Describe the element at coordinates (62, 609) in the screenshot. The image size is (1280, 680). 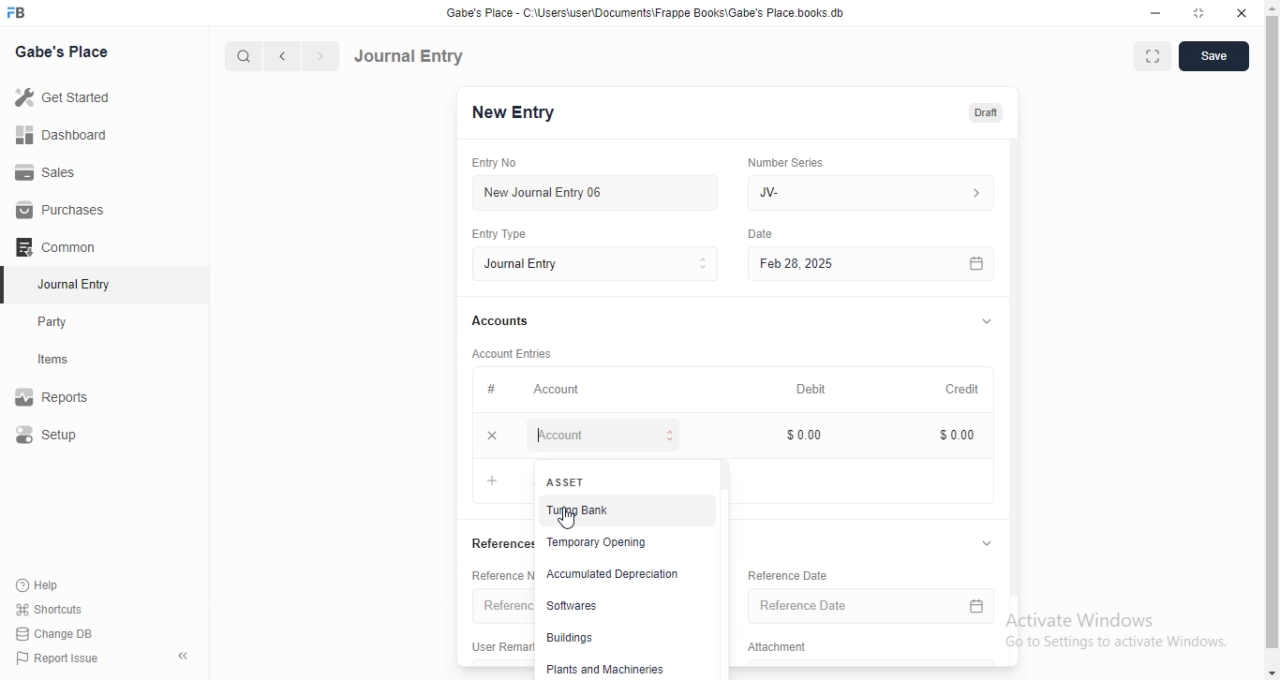
I see `‘Shortcuts` at that location.